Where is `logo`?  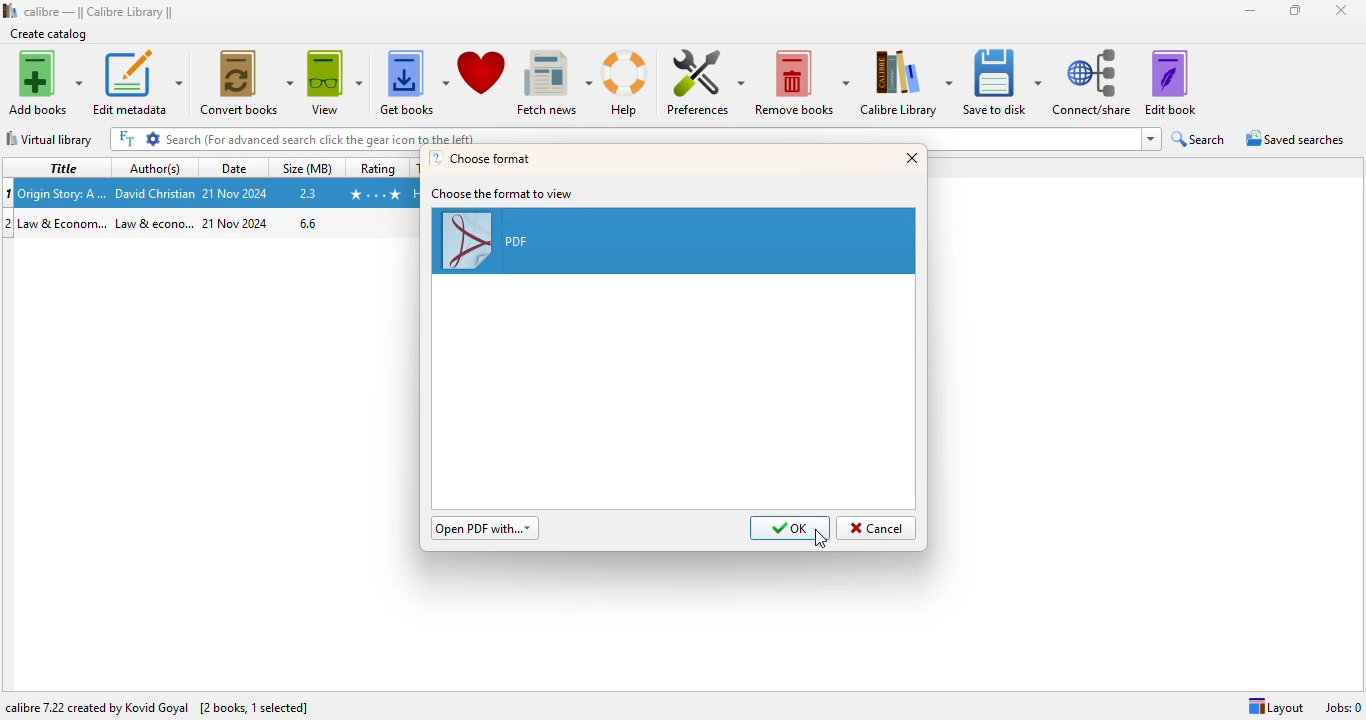 logo is located at coordinates (435, 158).